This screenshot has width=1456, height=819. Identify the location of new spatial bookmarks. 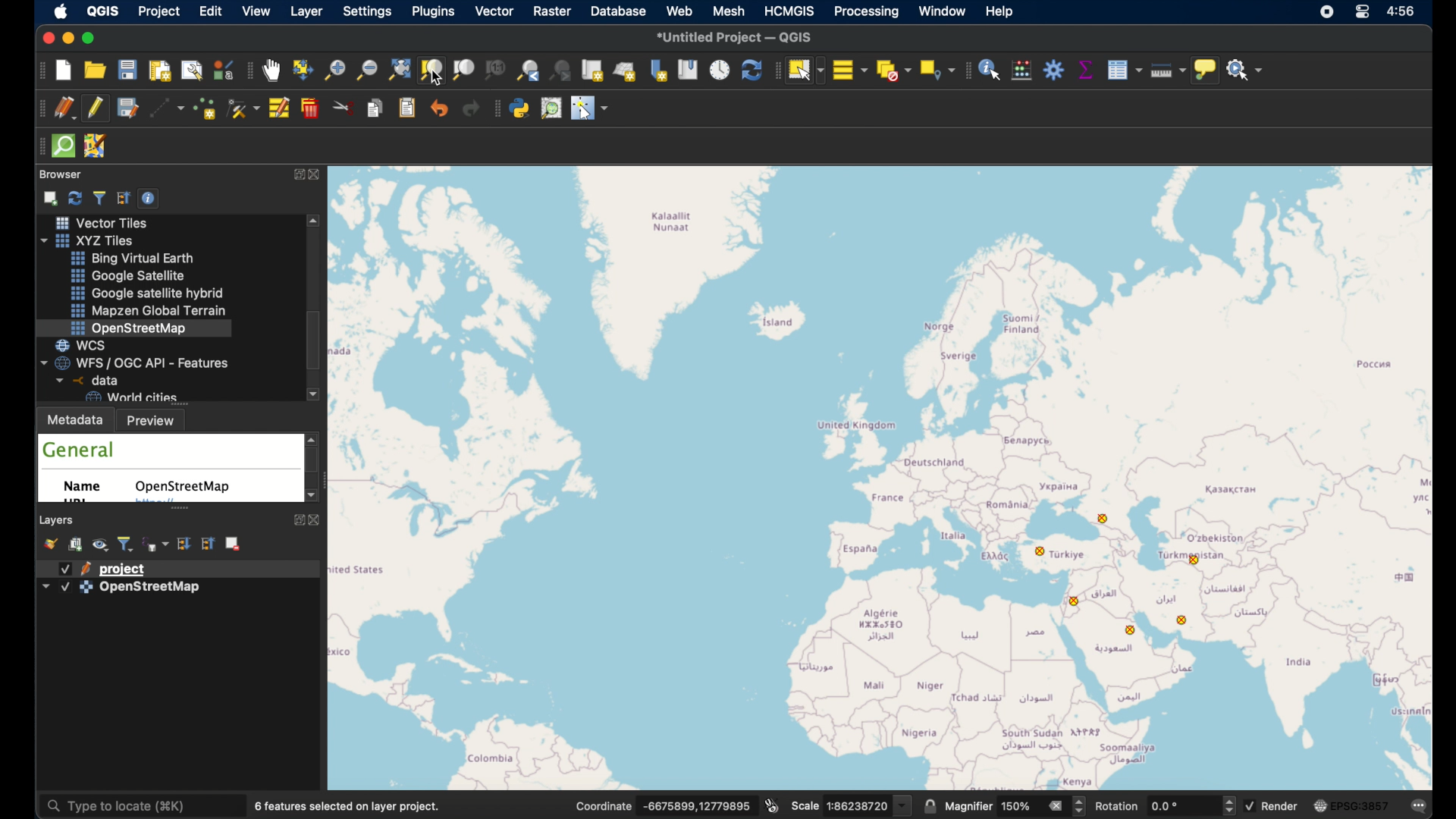
(659, 70).